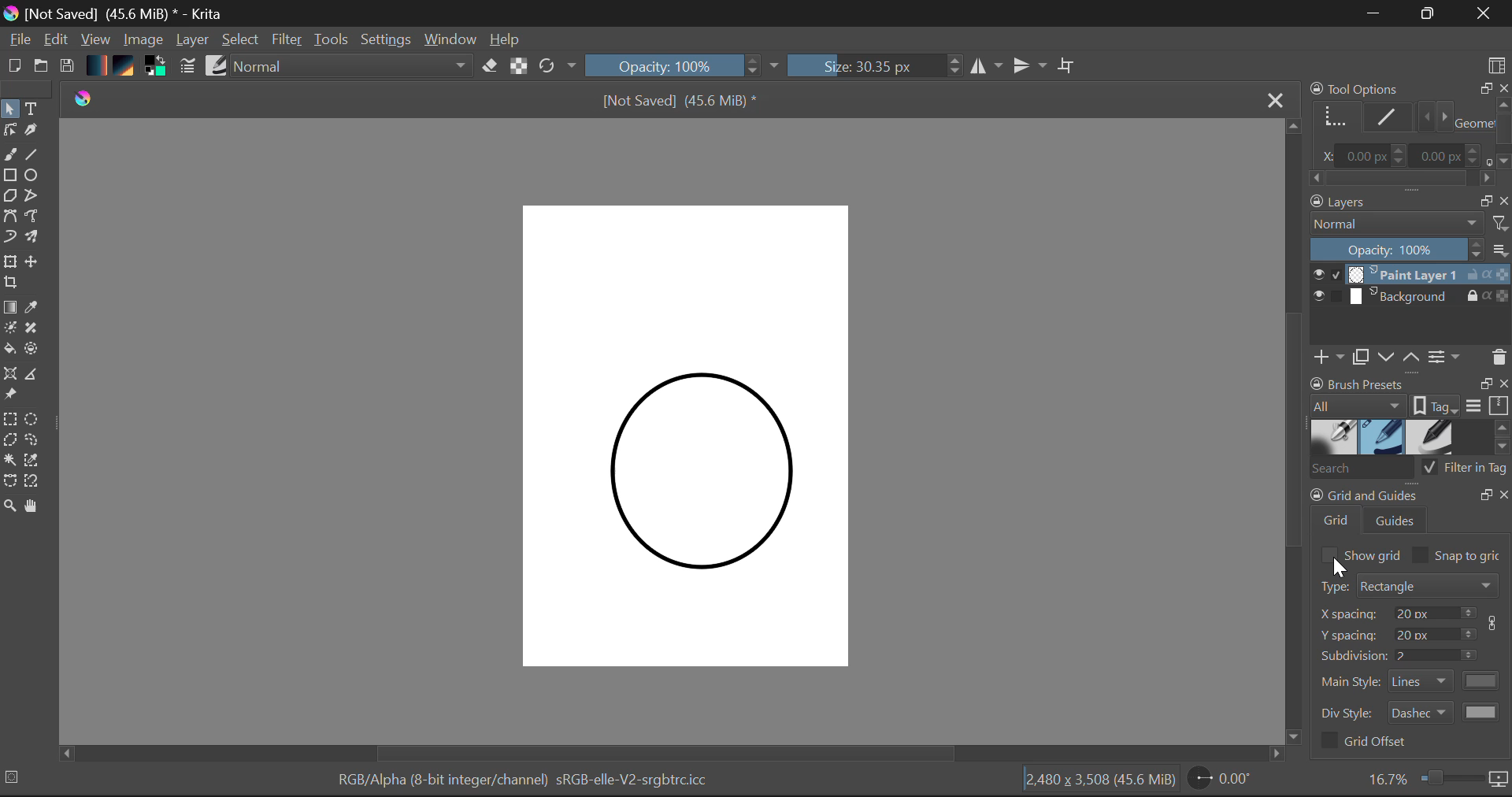 The height and width of the screenshot is (797, 1512). What do you see at coordinates (988, 66) in the screenshot?
I see `Vertical Mirror Flip` at bounding box center [988, 66].